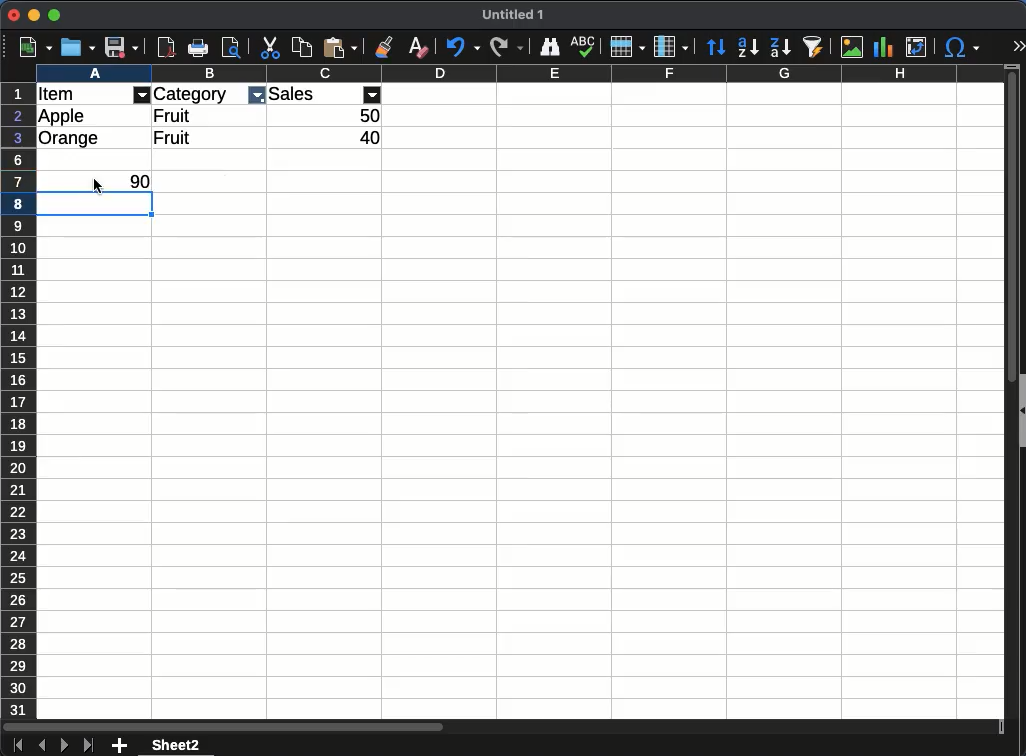  What do you see at coordinates (34, 15) in the screenshot?
I see `minimize` at bounding box center [34, 15].